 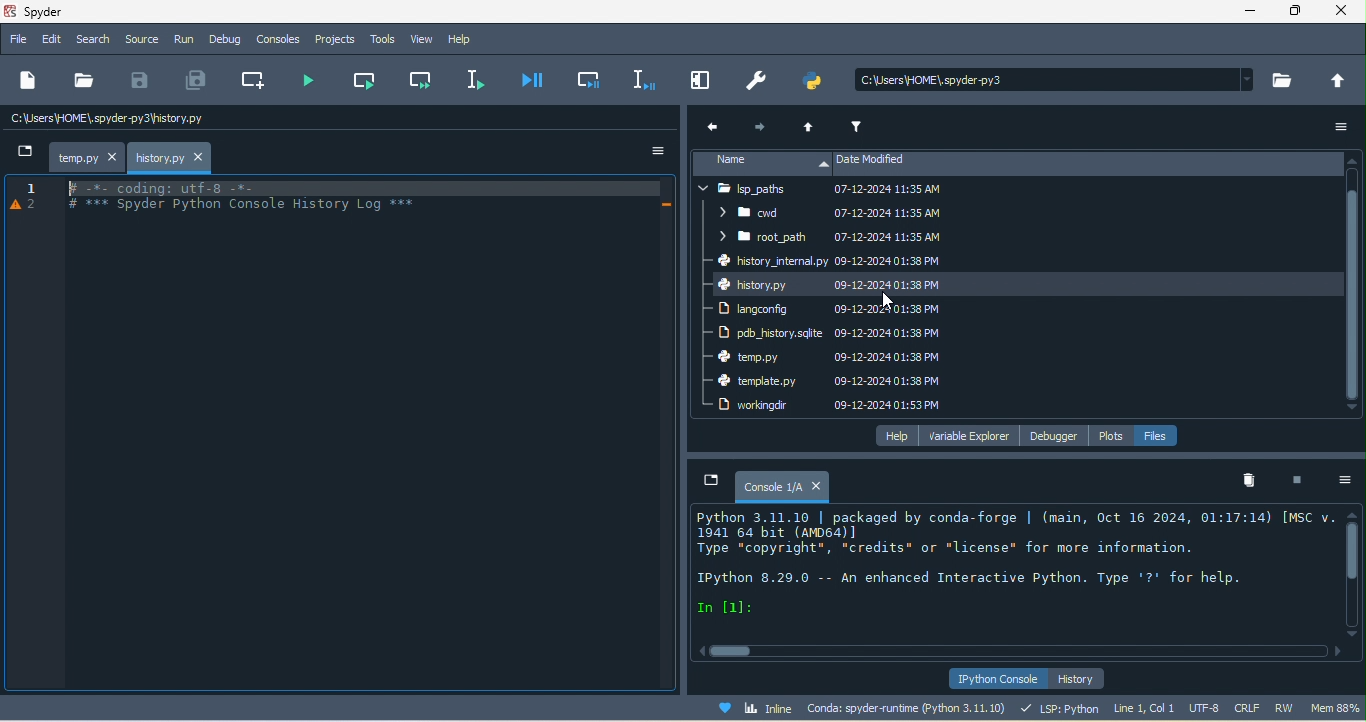 I want to click on cursor movement, so click(x=887, y=302).